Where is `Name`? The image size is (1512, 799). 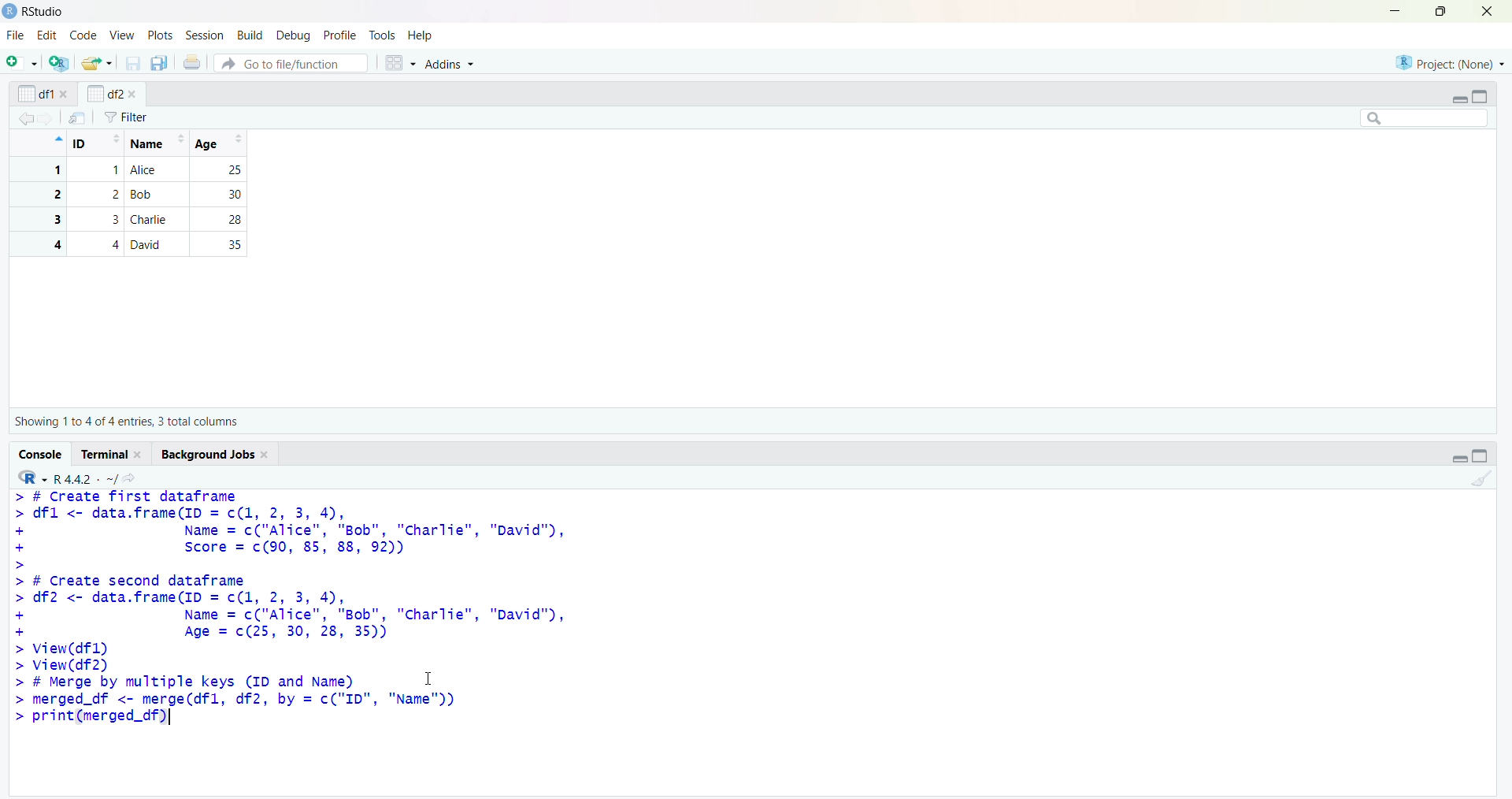 Name is located at coordinates (156, 143).